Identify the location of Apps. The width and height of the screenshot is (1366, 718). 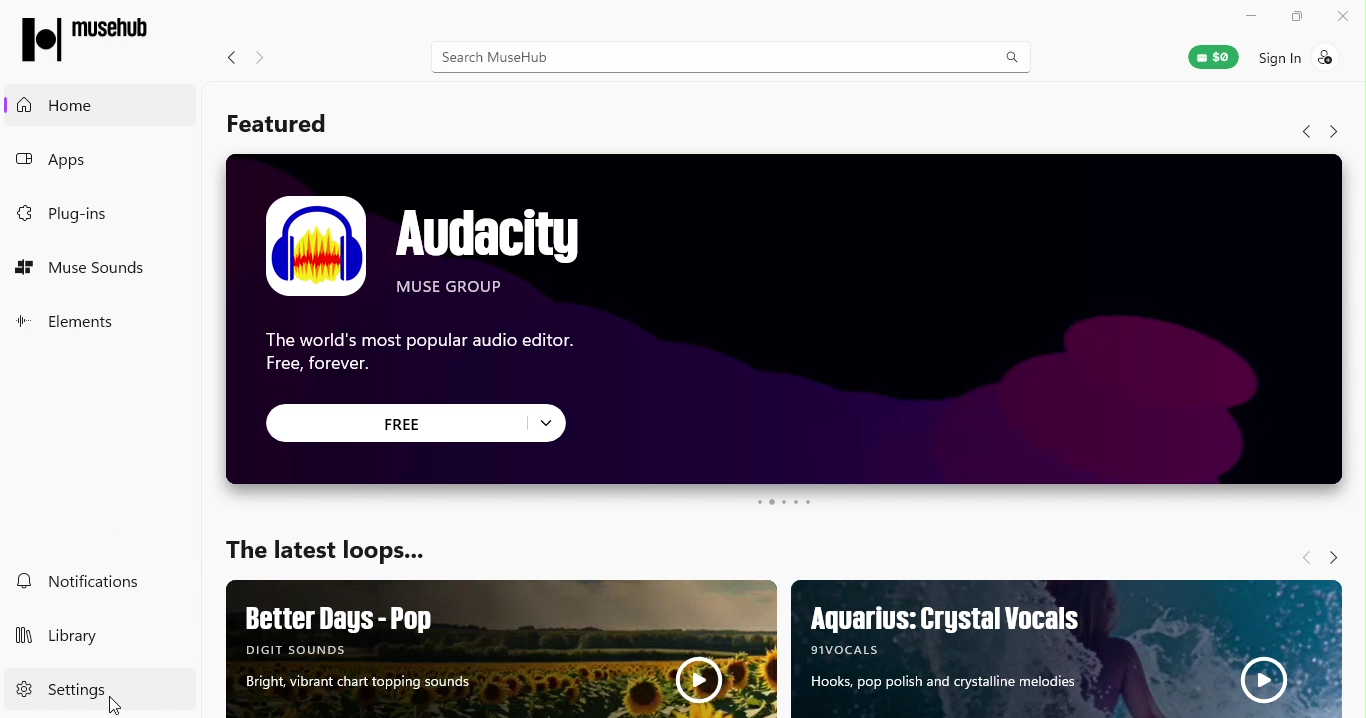
(88, 164).